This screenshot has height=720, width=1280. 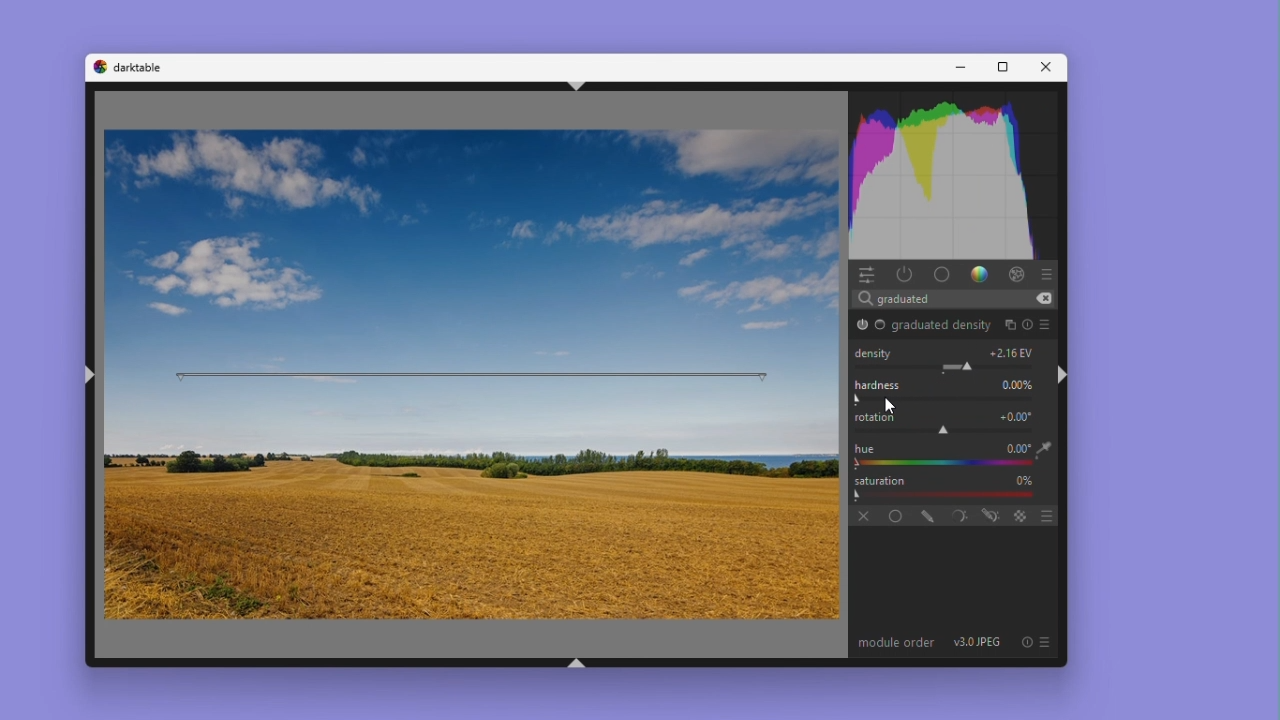 What do you see at coordinates (861, 514) in the screenshot?
I see `off` at bounding box center [861, 514].